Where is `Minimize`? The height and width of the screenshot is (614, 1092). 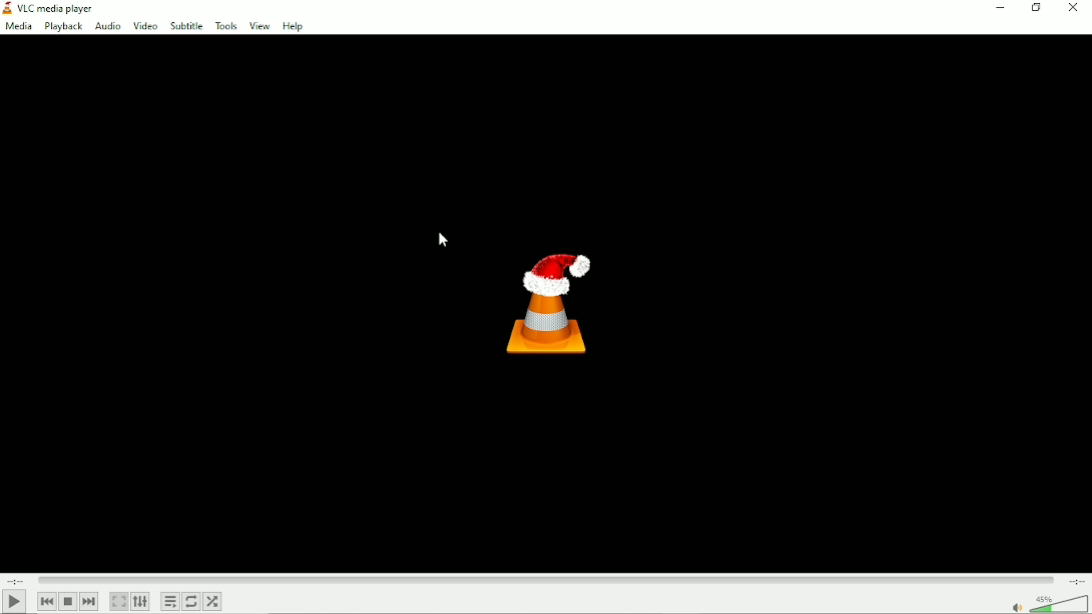 Minimize is located at coordinates (1004, 8).